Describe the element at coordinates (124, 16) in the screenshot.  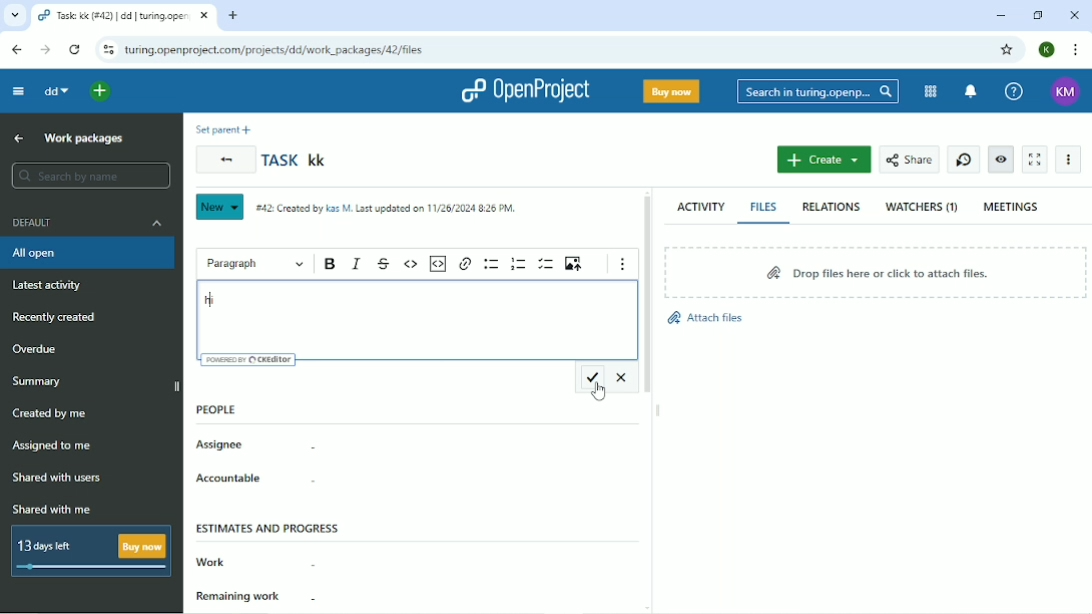
I see `Task: kk (#42) | dd | turing.openproject.com` at that location.